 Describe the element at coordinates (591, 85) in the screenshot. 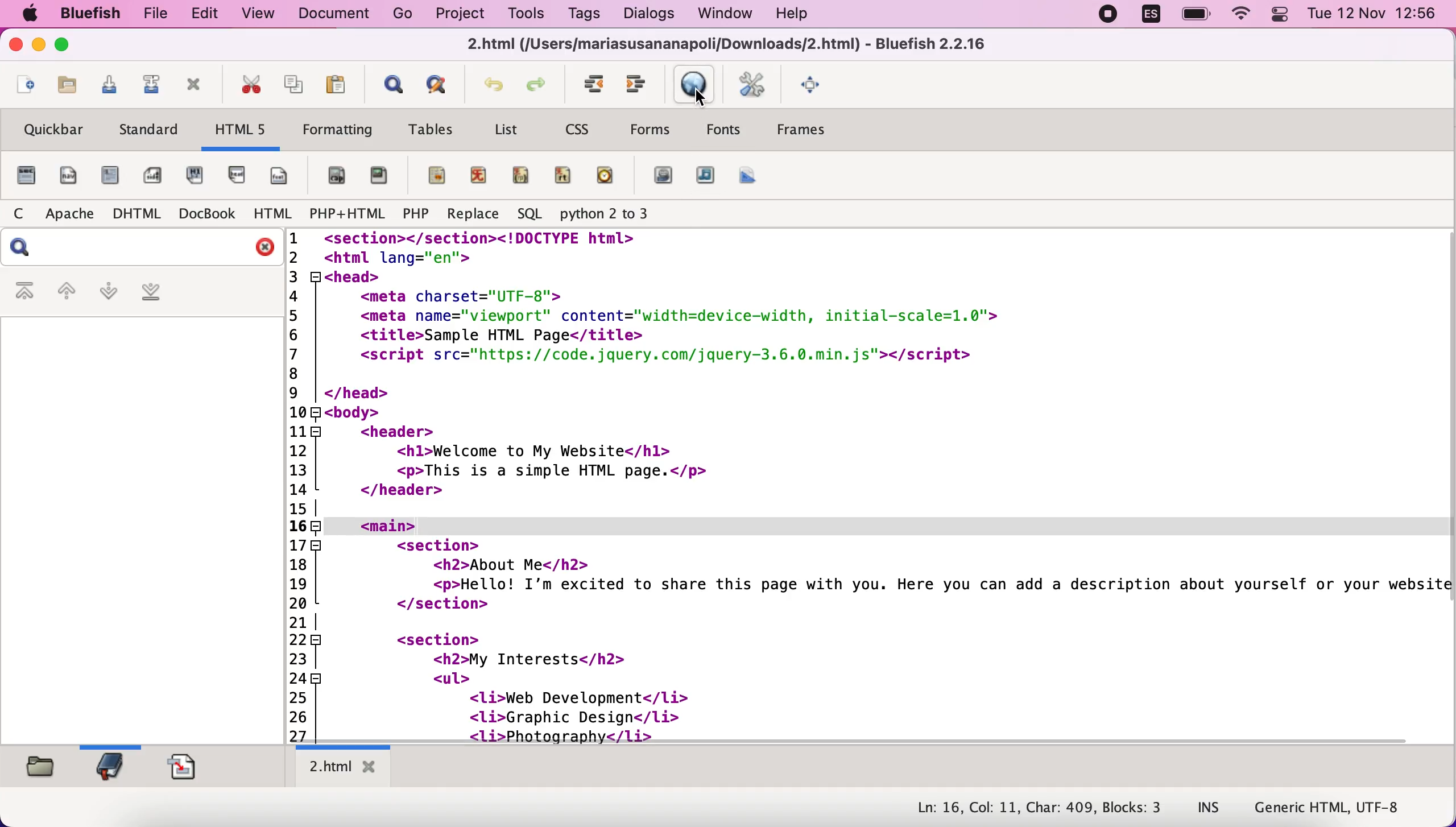

I see `indent` at that location.